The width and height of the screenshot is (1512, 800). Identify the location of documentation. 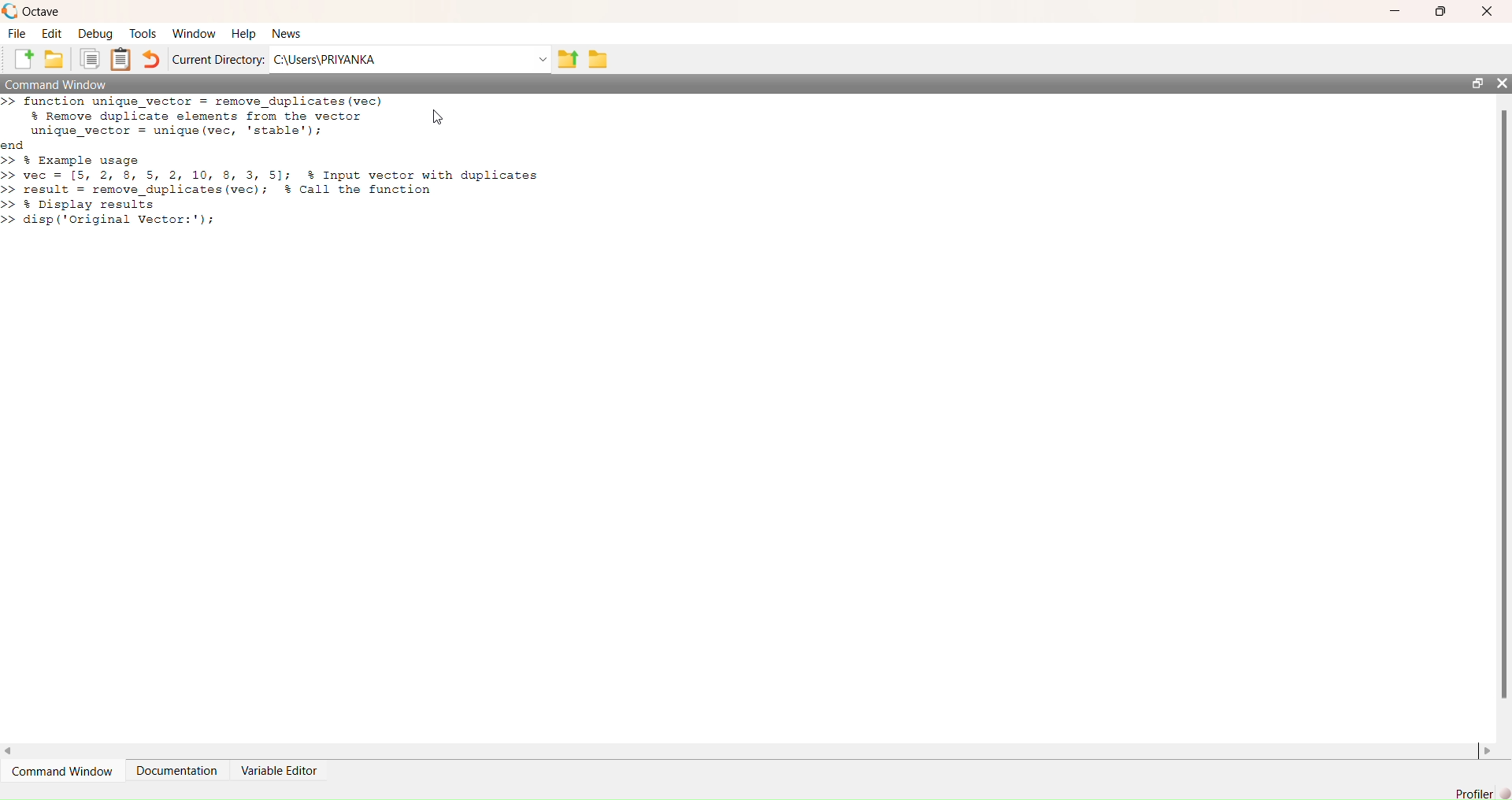
(179, 770).